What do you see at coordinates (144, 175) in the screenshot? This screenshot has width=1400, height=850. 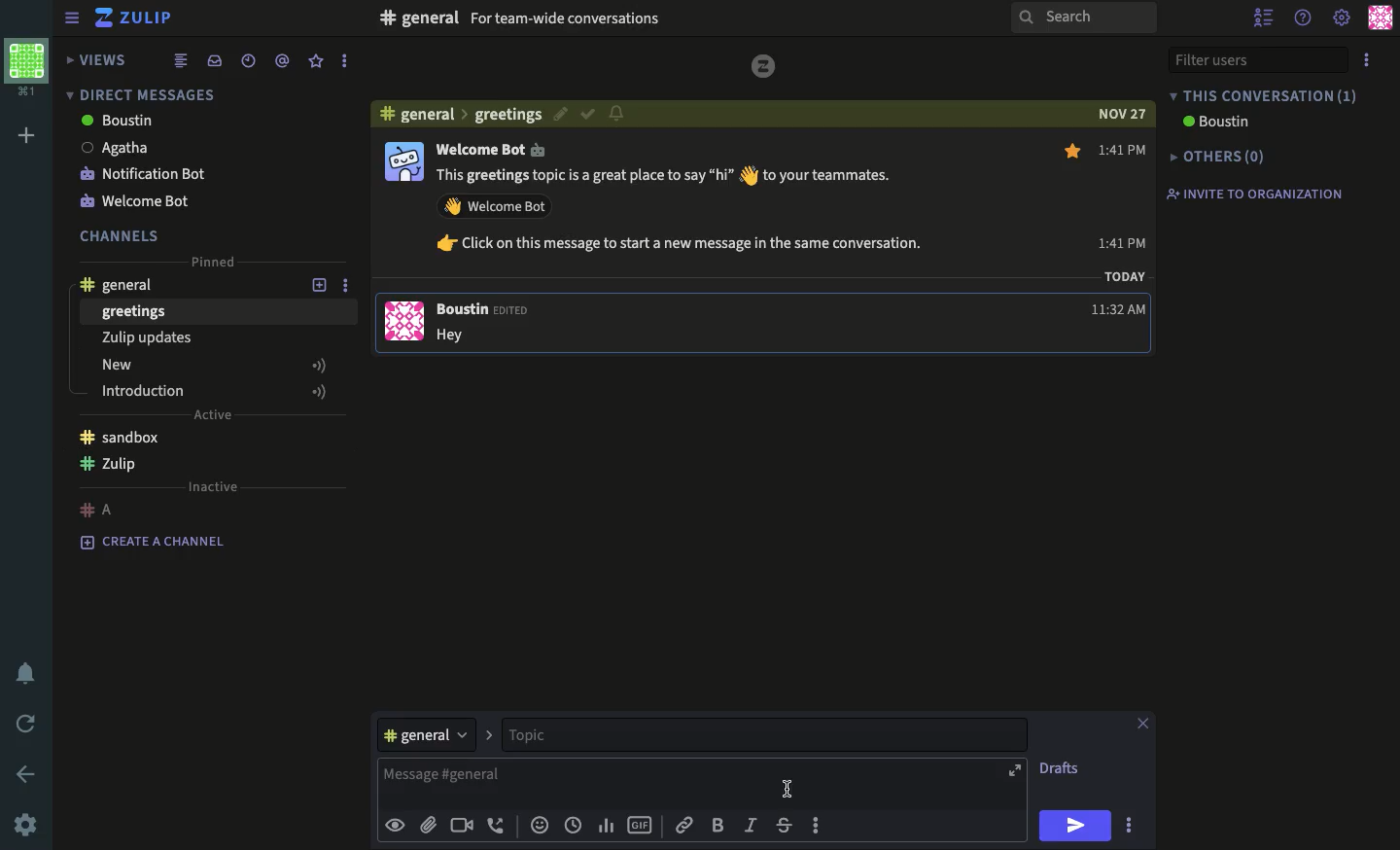 I see `notification bot` at bounding box center [144, 175].